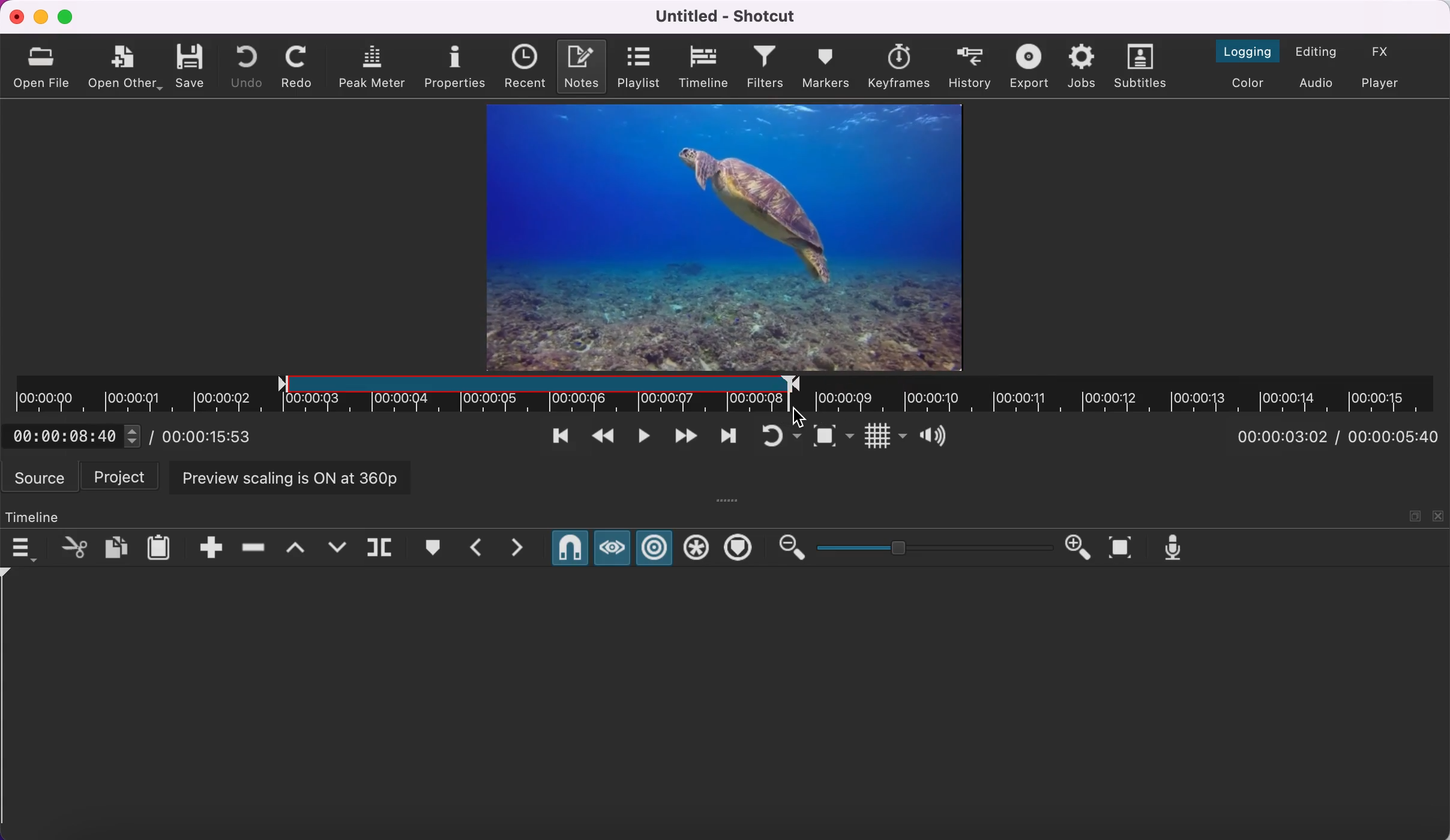 The width and height of the screenshot is (1450, 840). What do you see at coordinates (640, 439) in the screenshot?
I see `toggle play or pause` at bounding box center [640, 439].